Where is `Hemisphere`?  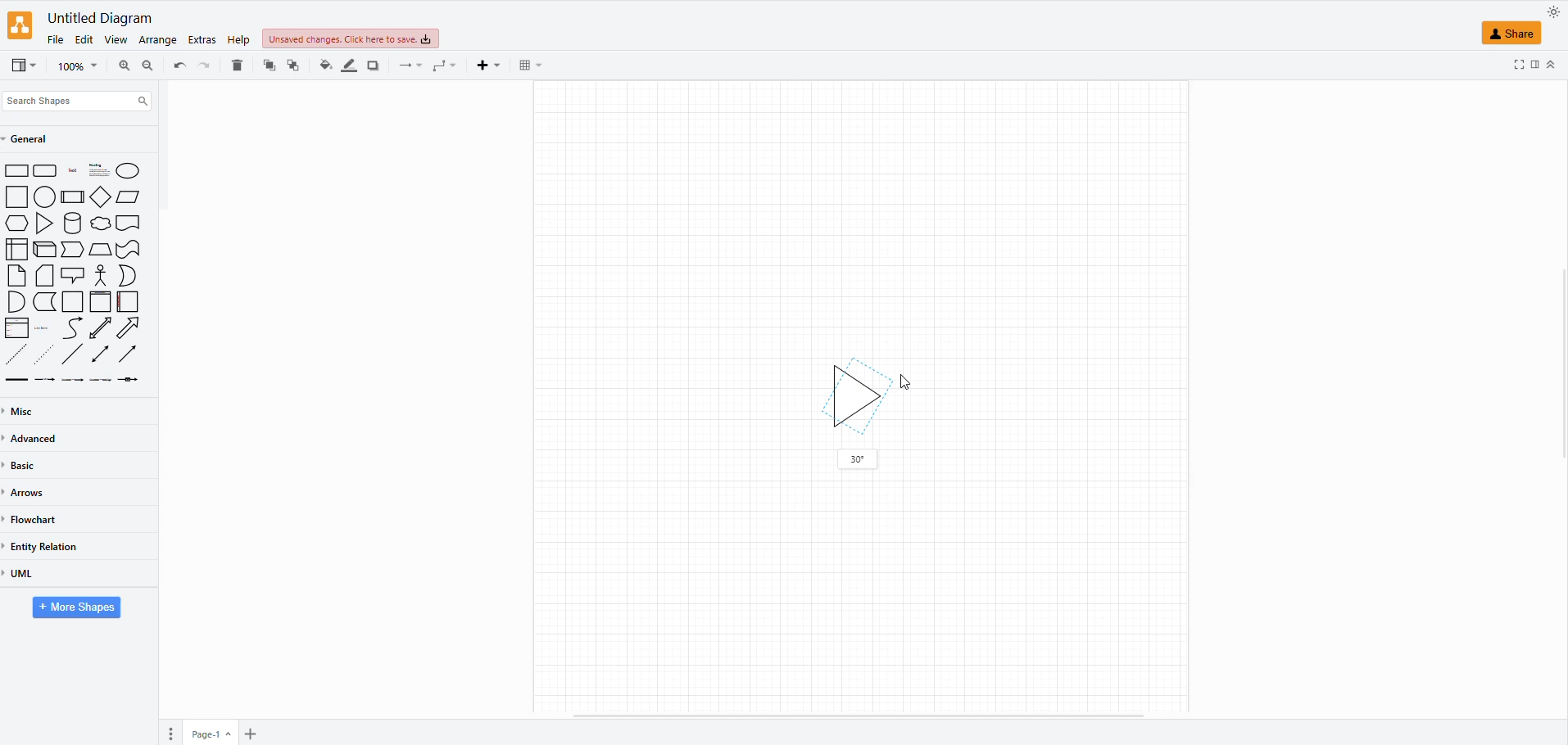
Hemisphere is located at coordinates (15, 301).